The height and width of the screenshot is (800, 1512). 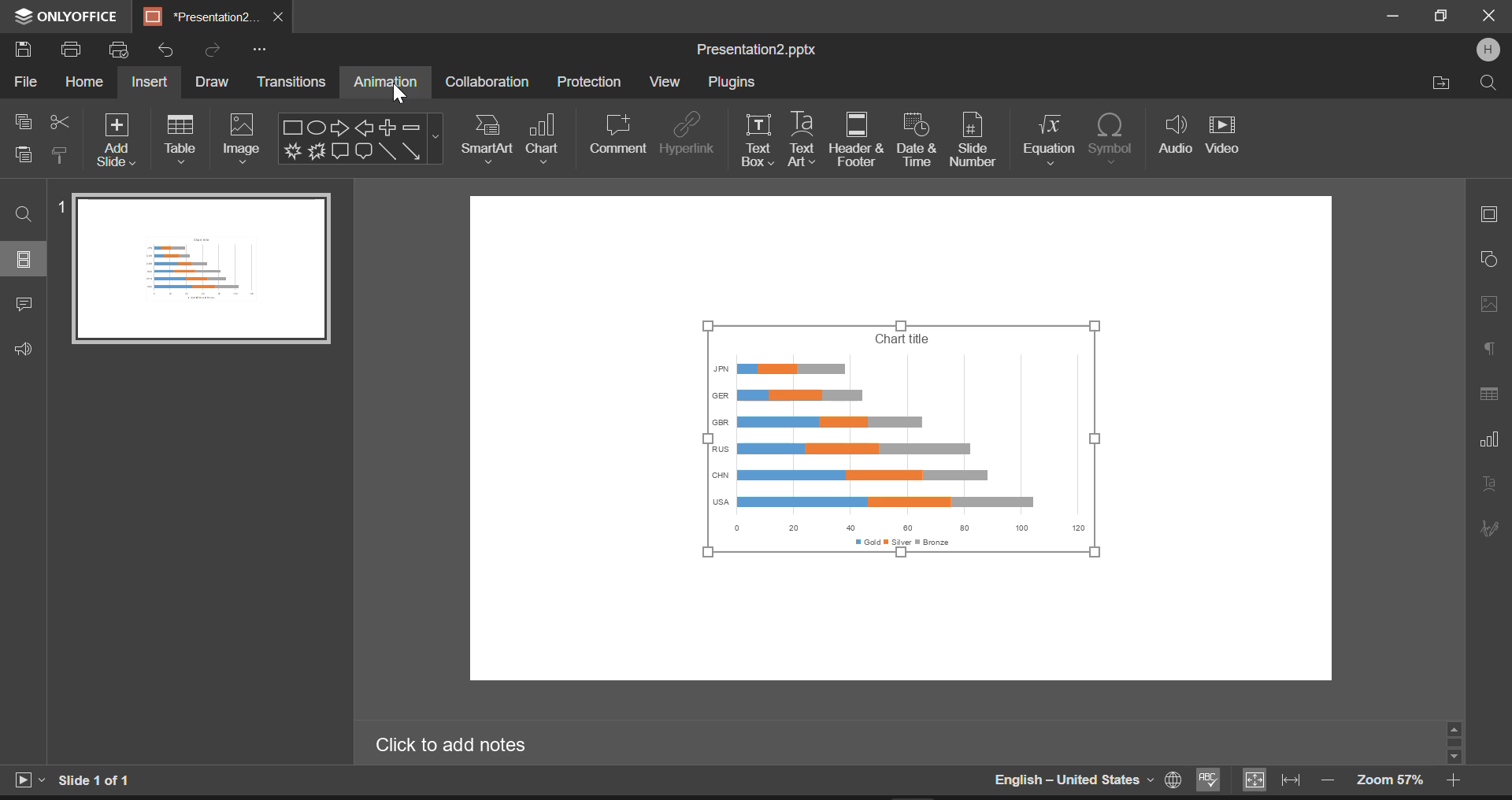 I want to click on Paste, so click(x=24, y=157).